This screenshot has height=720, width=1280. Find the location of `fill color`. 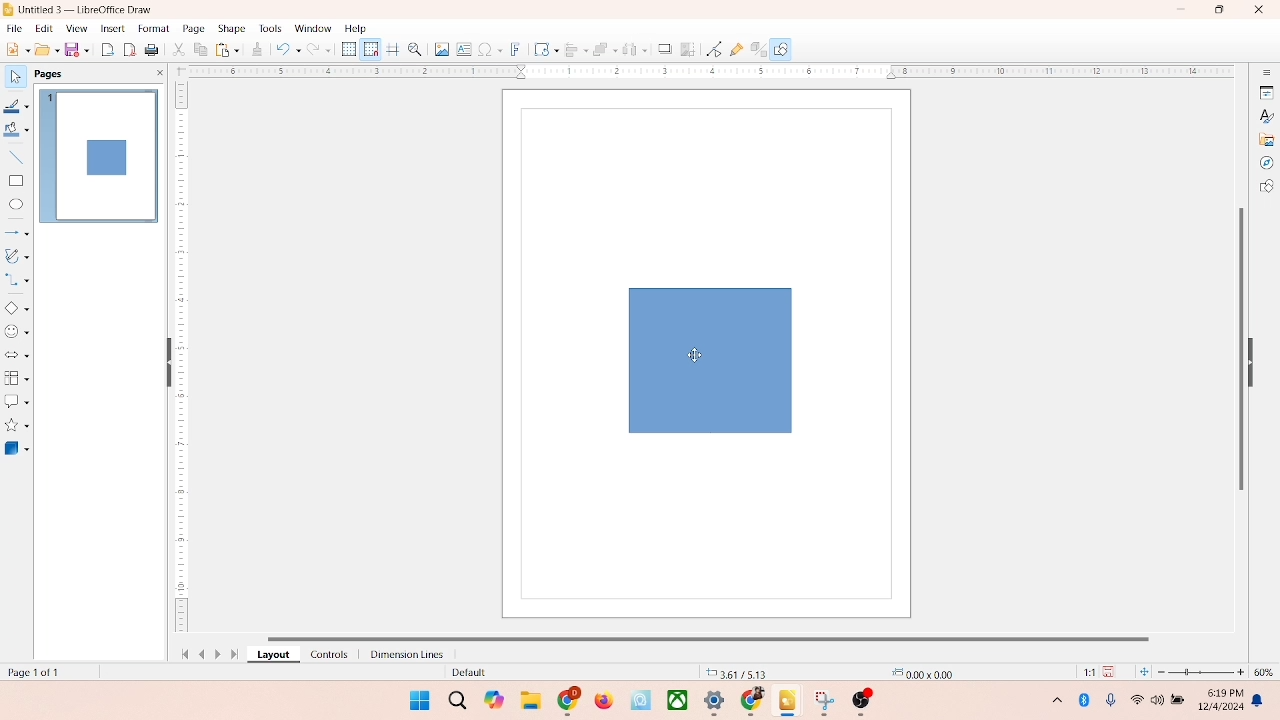

fill color is located at coordinates (16, 133).